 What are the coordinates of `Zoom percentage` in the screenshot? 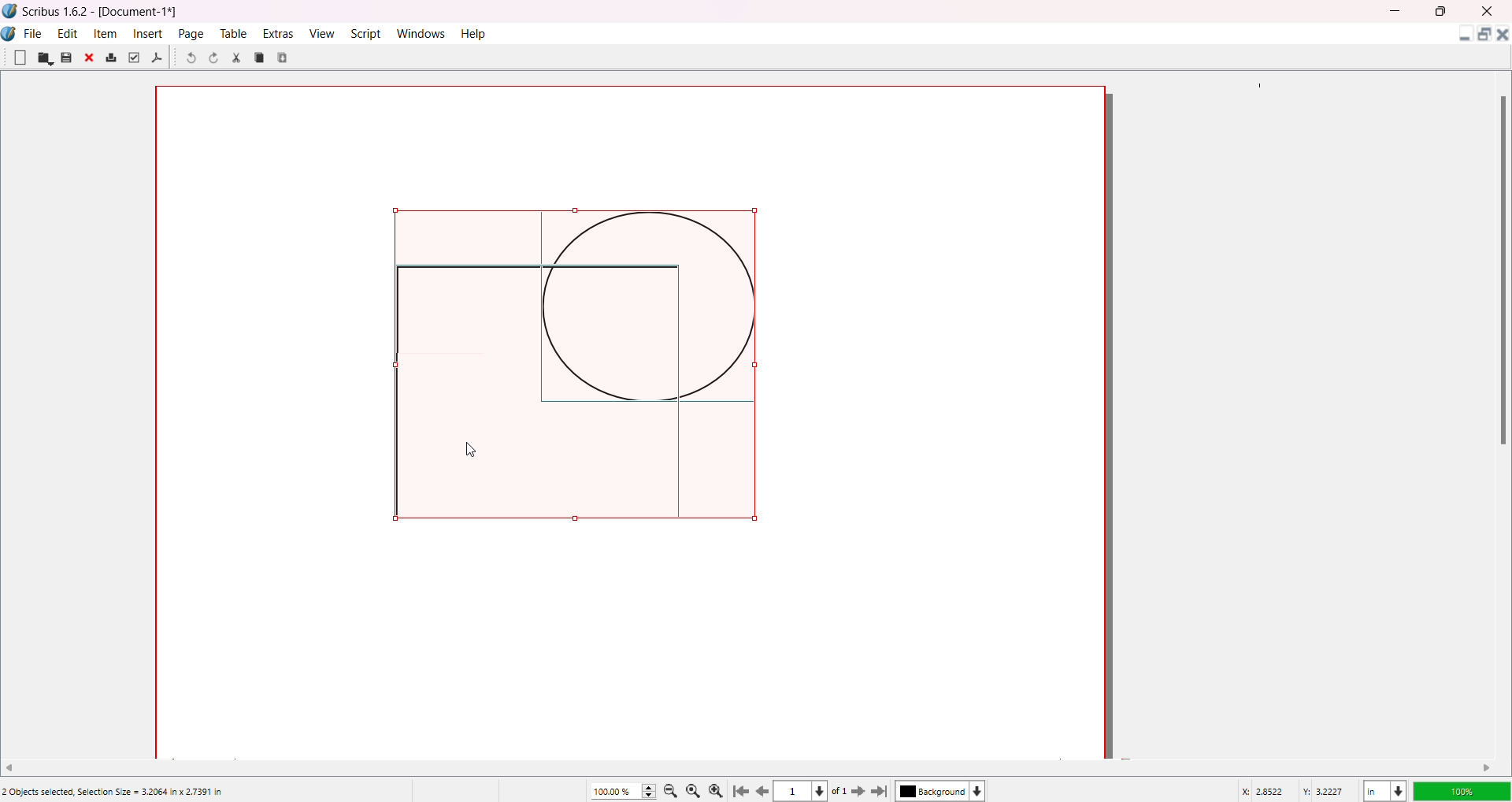 It's located at (614, 790).